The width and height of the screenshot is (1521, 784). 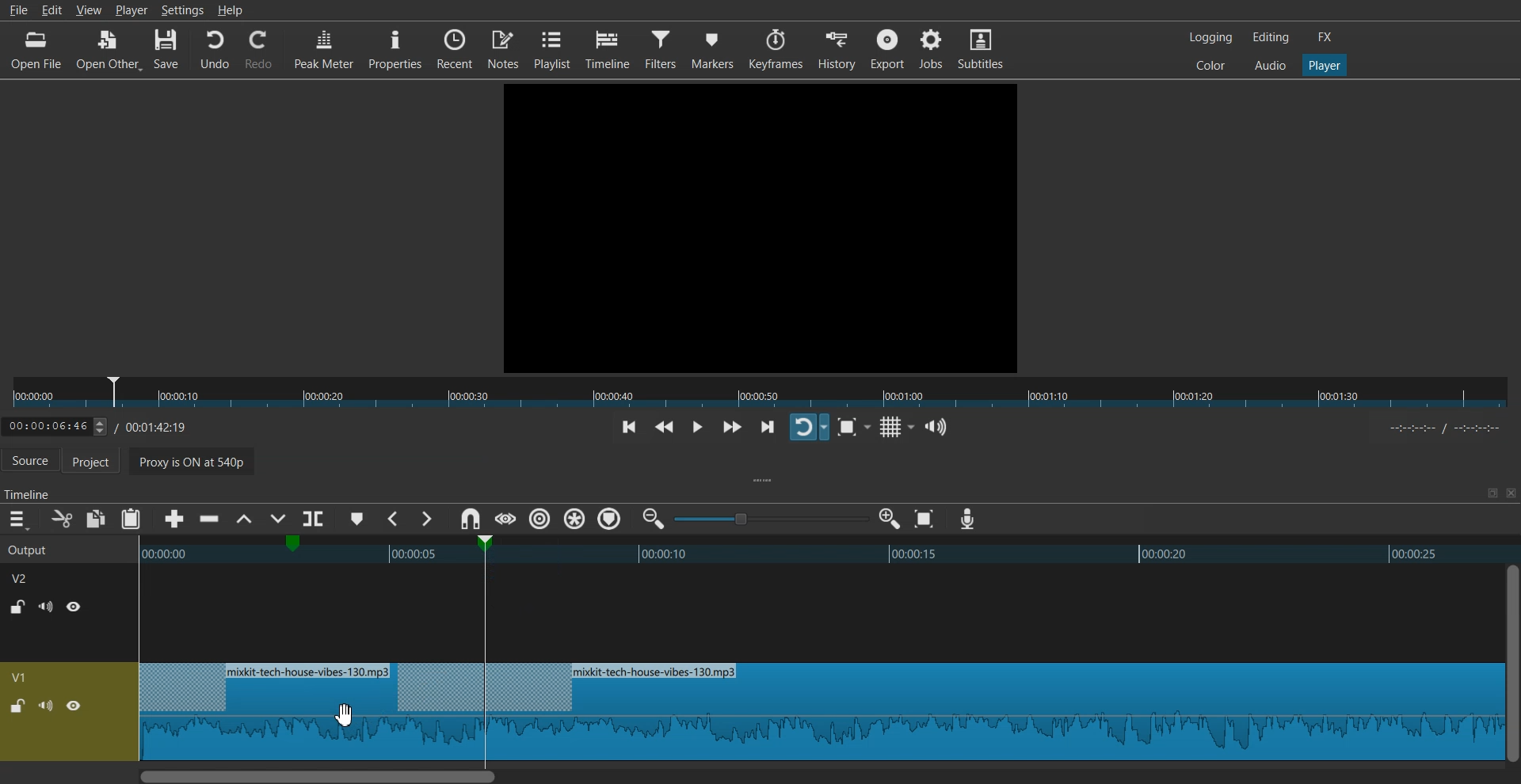 What do you see at coordinates (1271, 36) in the screenshot?
I see `Editing` at bounding box center [1271, 36].